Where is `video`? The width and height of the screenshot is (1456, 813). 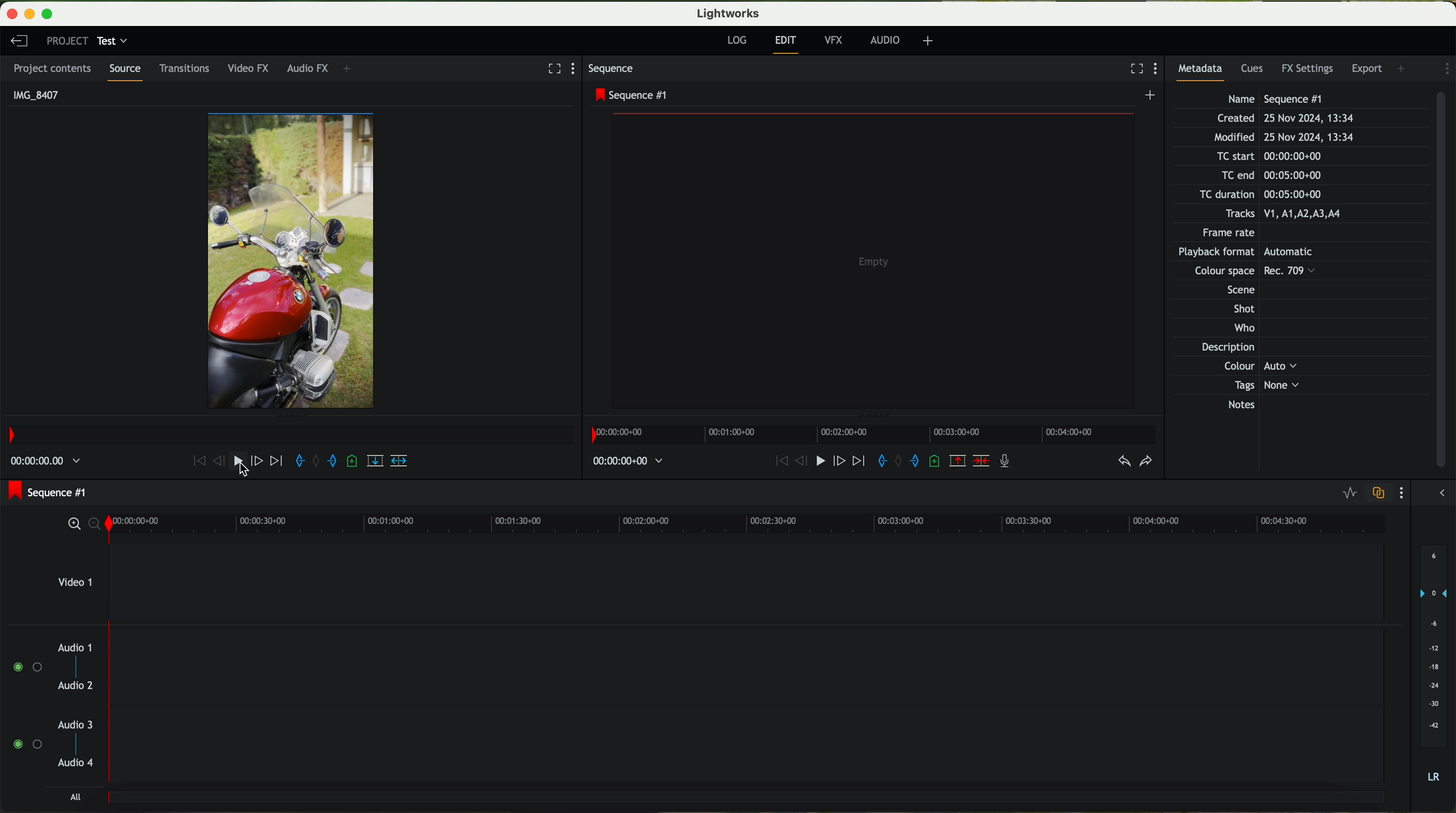
video is located at coordinates (293, 261).